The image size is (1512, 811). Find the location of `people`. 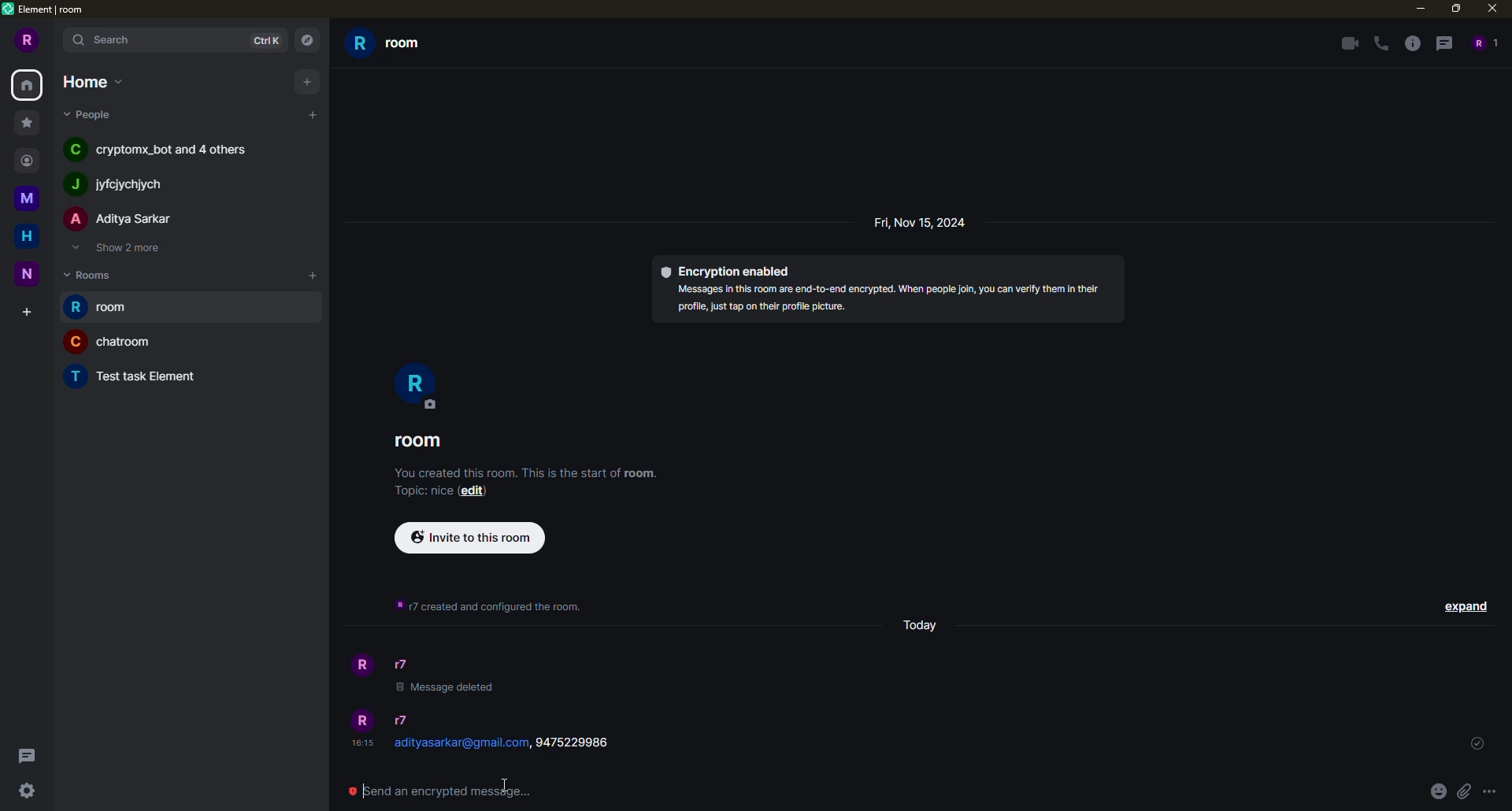

people is located at coordinates (124, 183).